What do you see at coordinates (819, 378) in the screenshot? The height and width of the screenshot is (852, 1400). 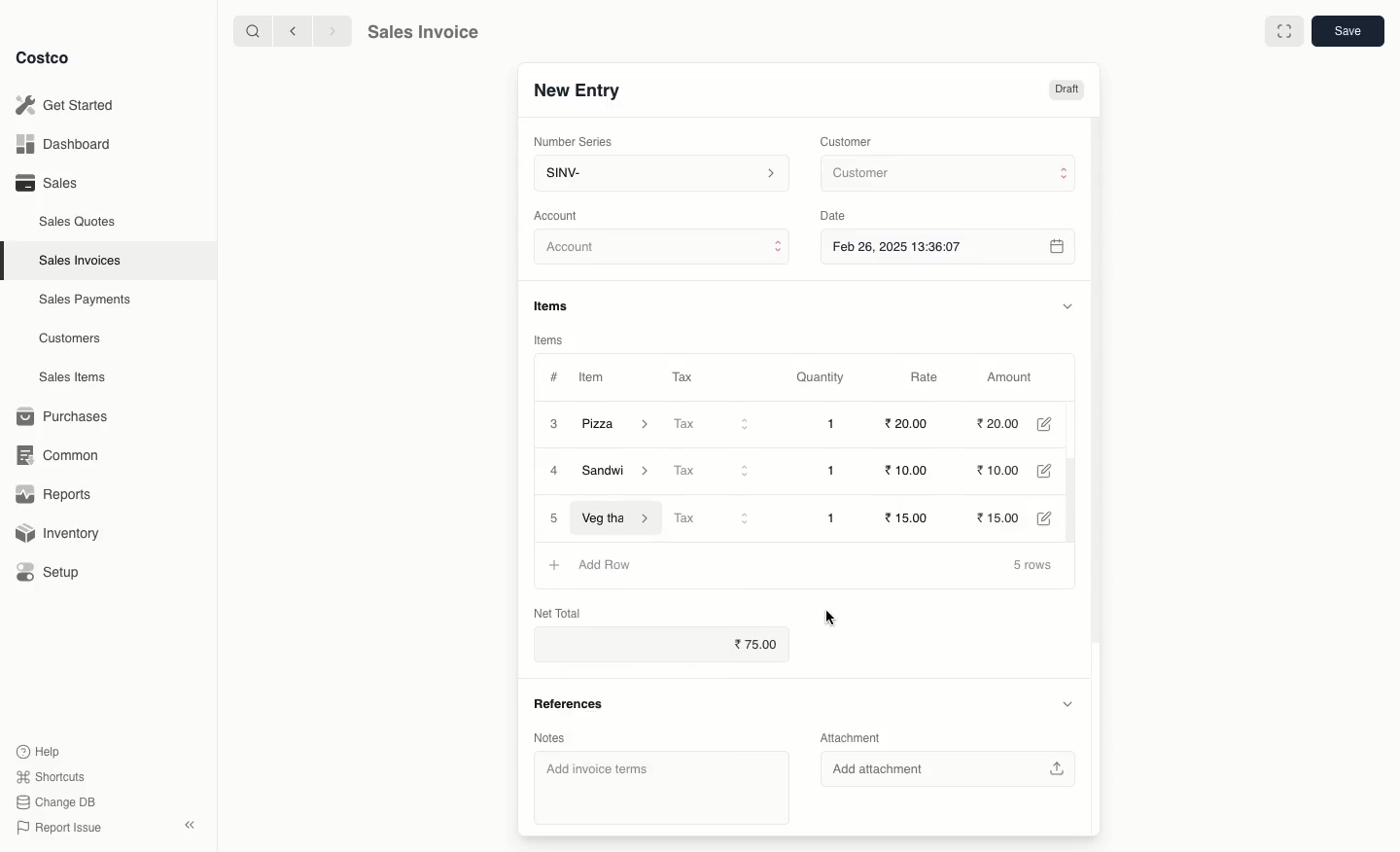 I see `Quantity` at bounding box center [819, 378].